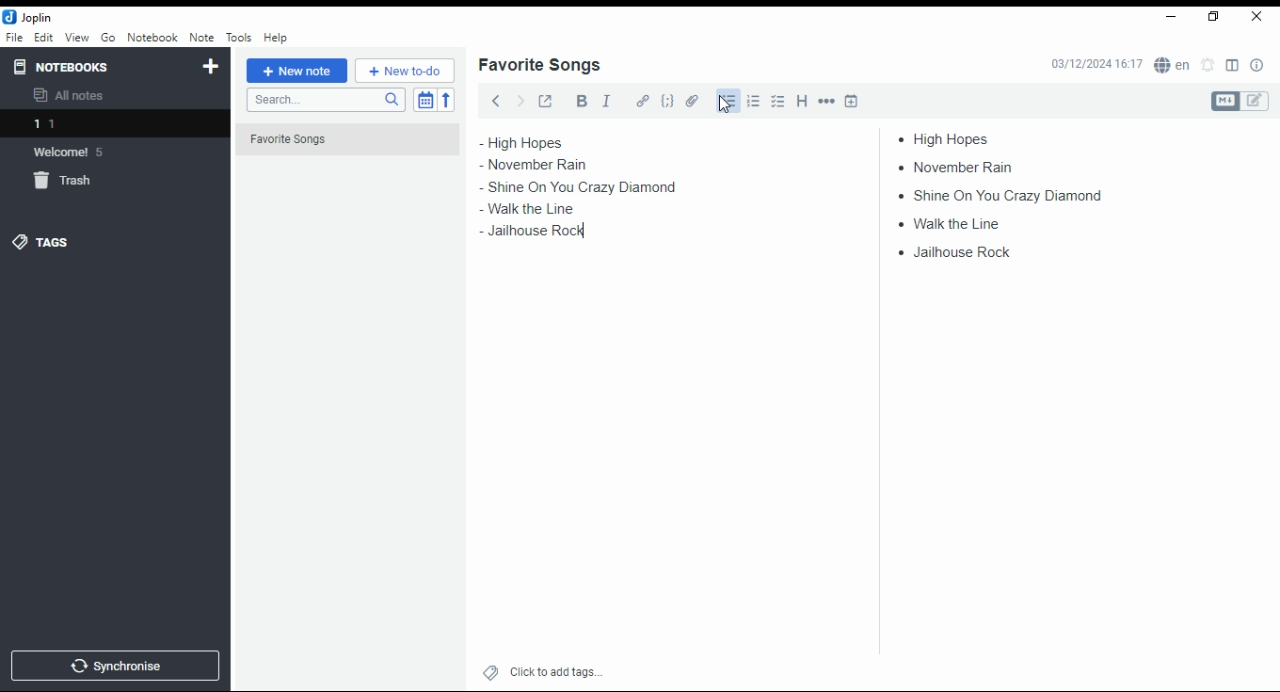 This screenshot has height=692, width=1280. I want to click on november rain, so click(548, 165).